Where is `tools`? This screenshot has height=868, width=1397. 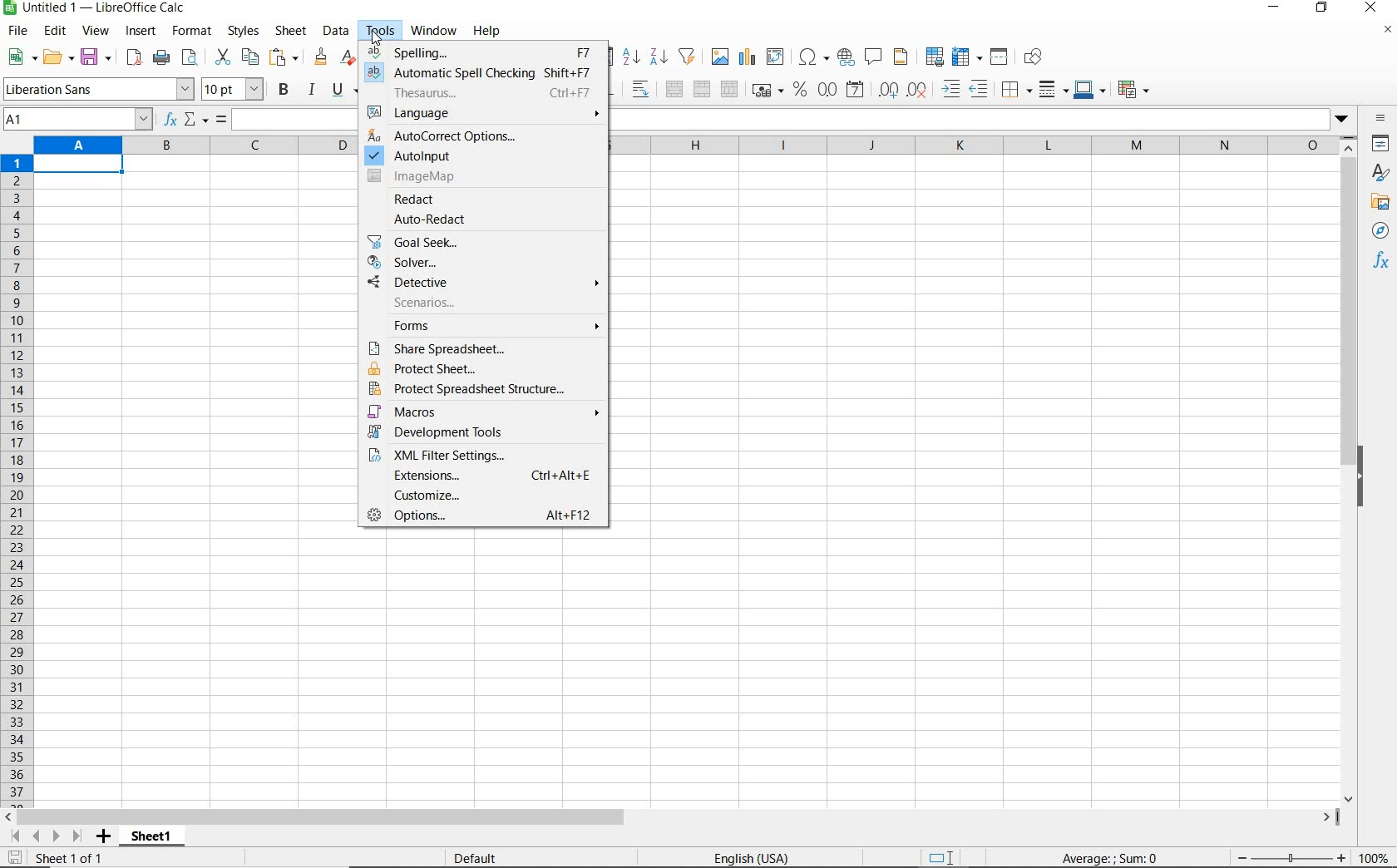 tools is located at coordinates (379, 31).